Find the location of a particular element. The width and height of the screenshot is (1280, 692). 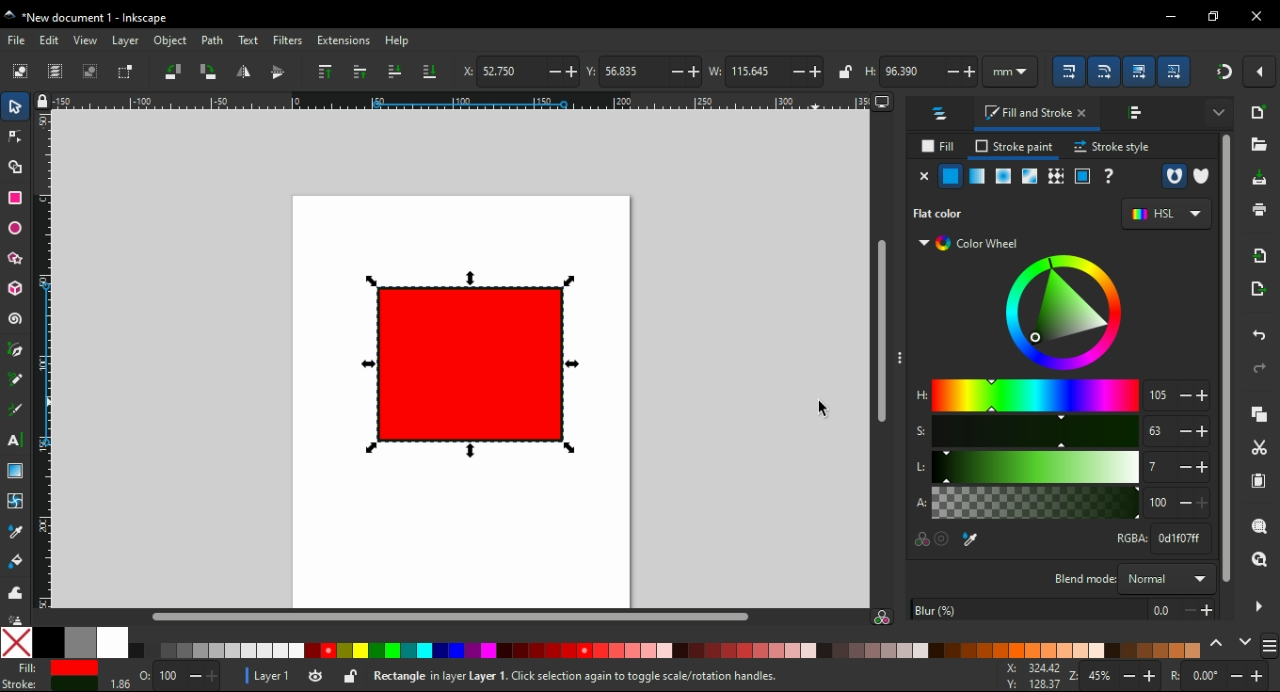

hue is located at coordinates (1036, 395).